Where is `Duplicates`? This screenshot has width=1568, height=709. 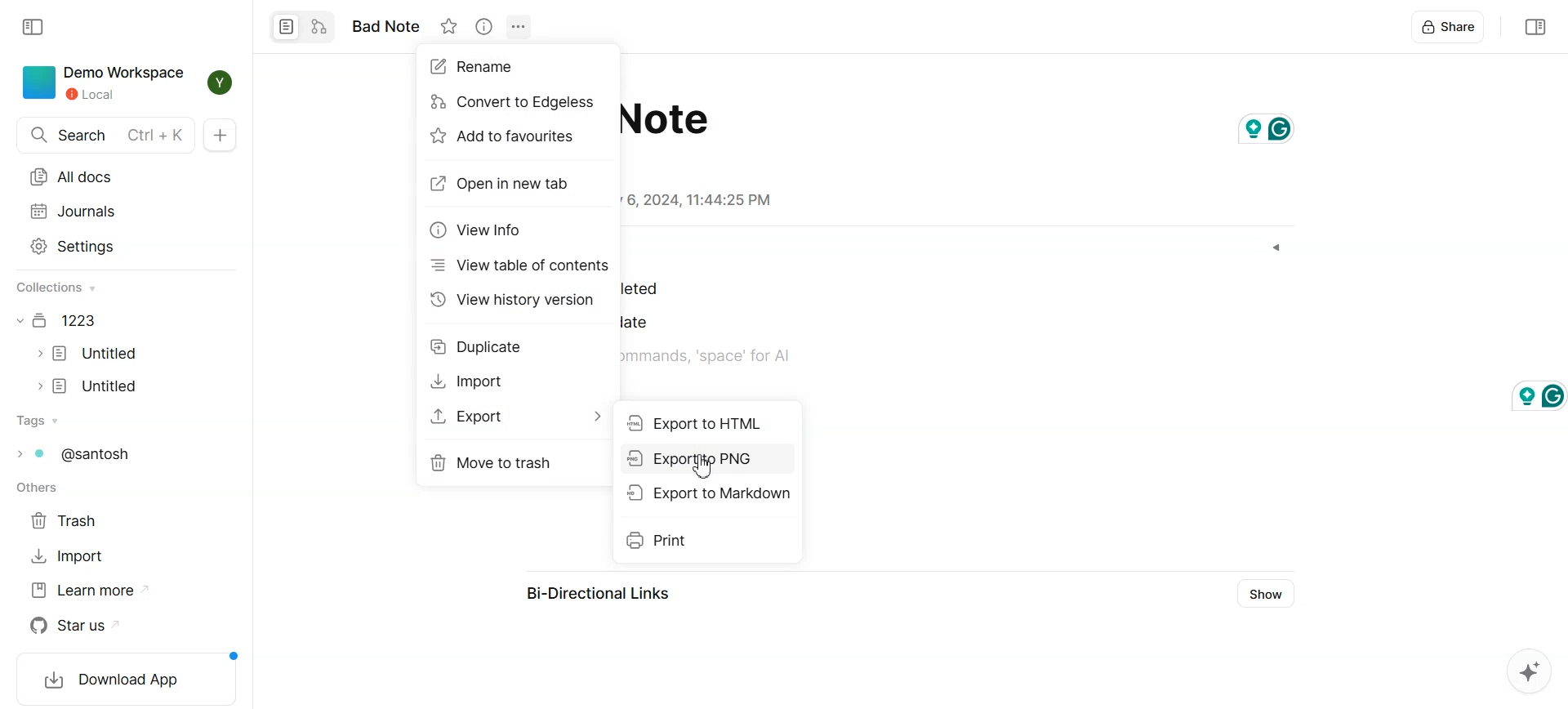 Duplicates is located at coordinates (482, 349).